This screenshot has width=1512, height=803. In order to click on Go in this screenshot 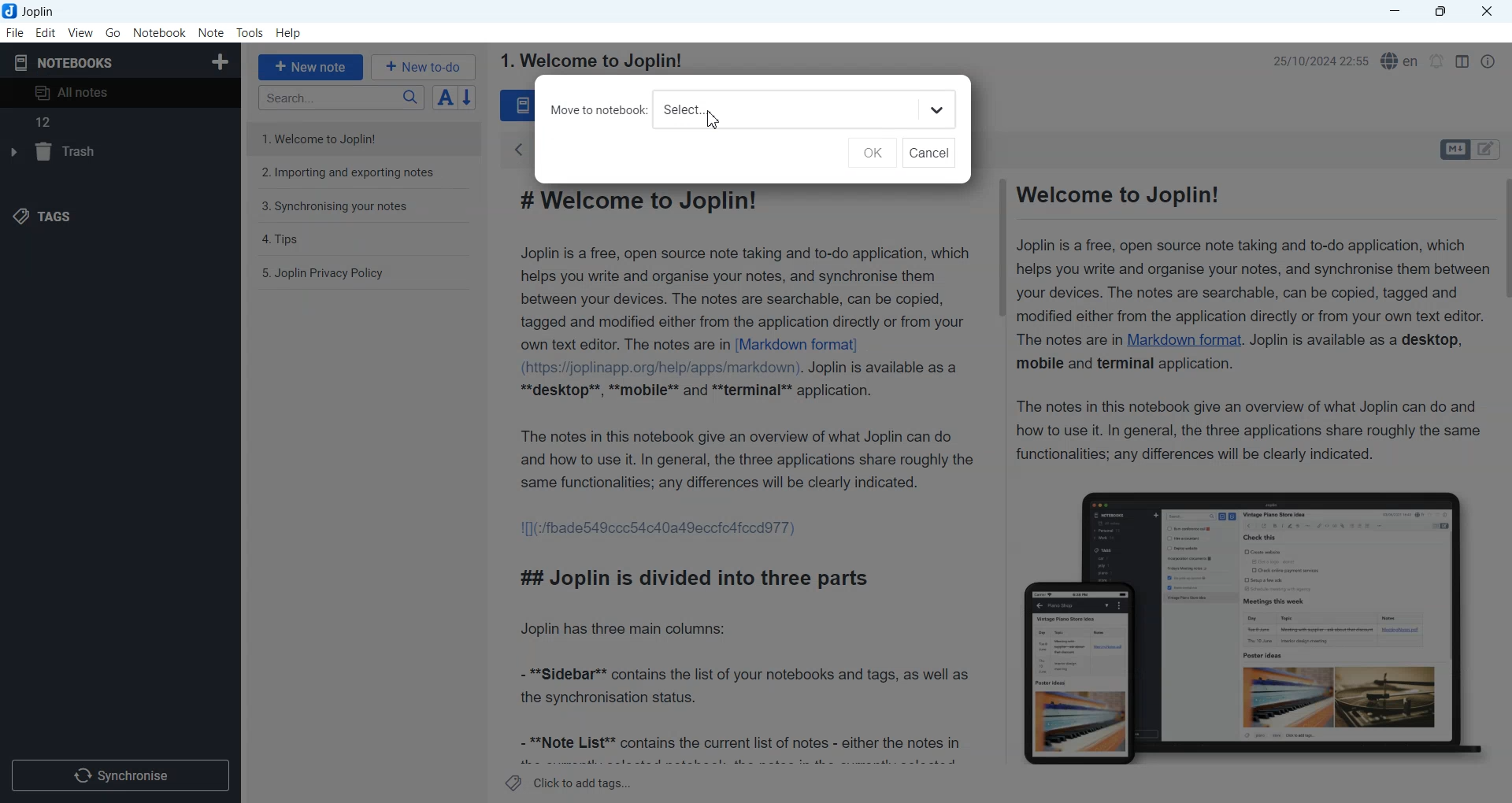, I will do `click(114, 32)`.